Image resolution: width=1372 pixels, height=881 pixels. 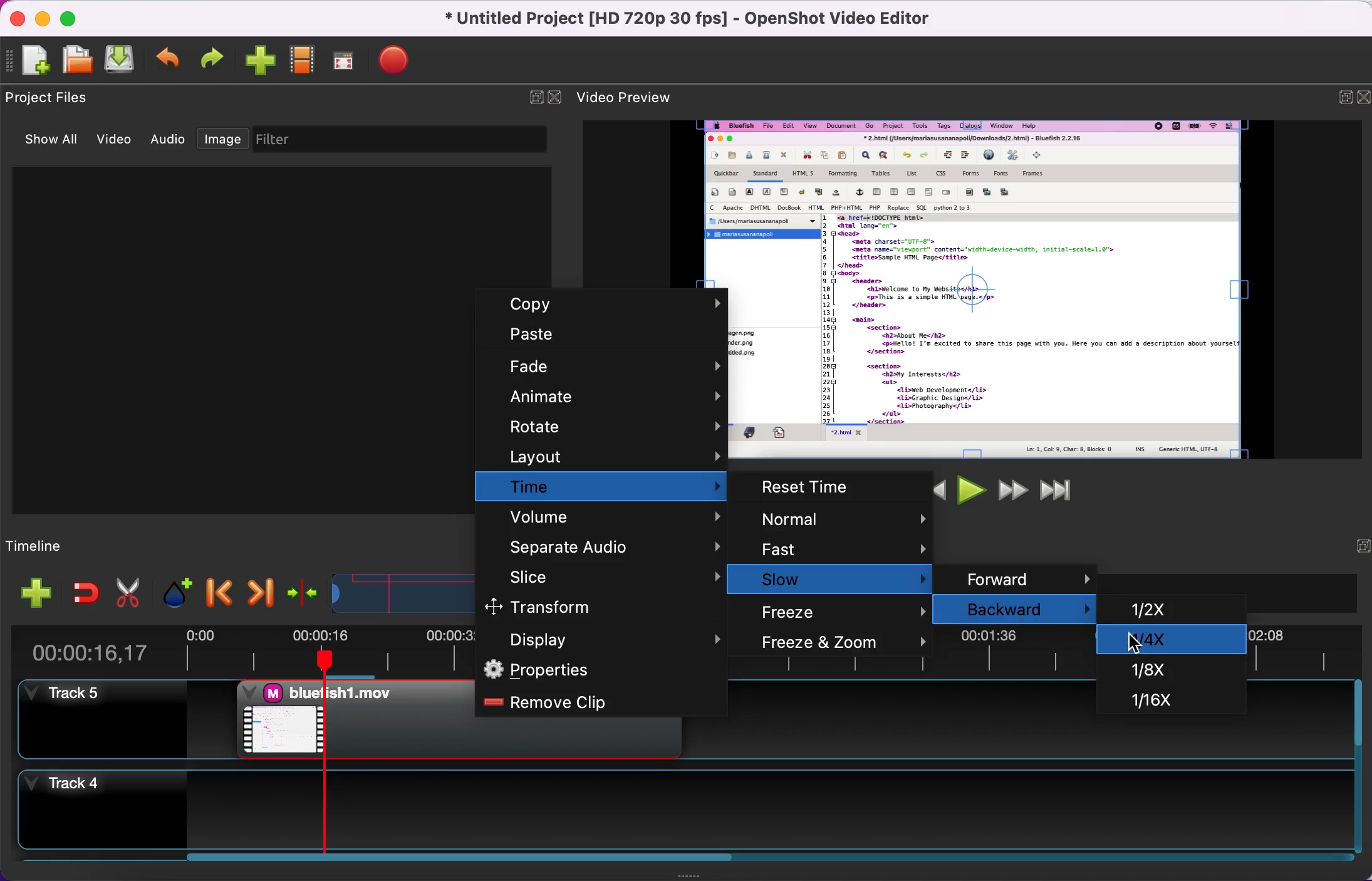 What do you see at coordinates (606, 575) in the screenshot?
I see `slice` at bounding box center [606, 575].